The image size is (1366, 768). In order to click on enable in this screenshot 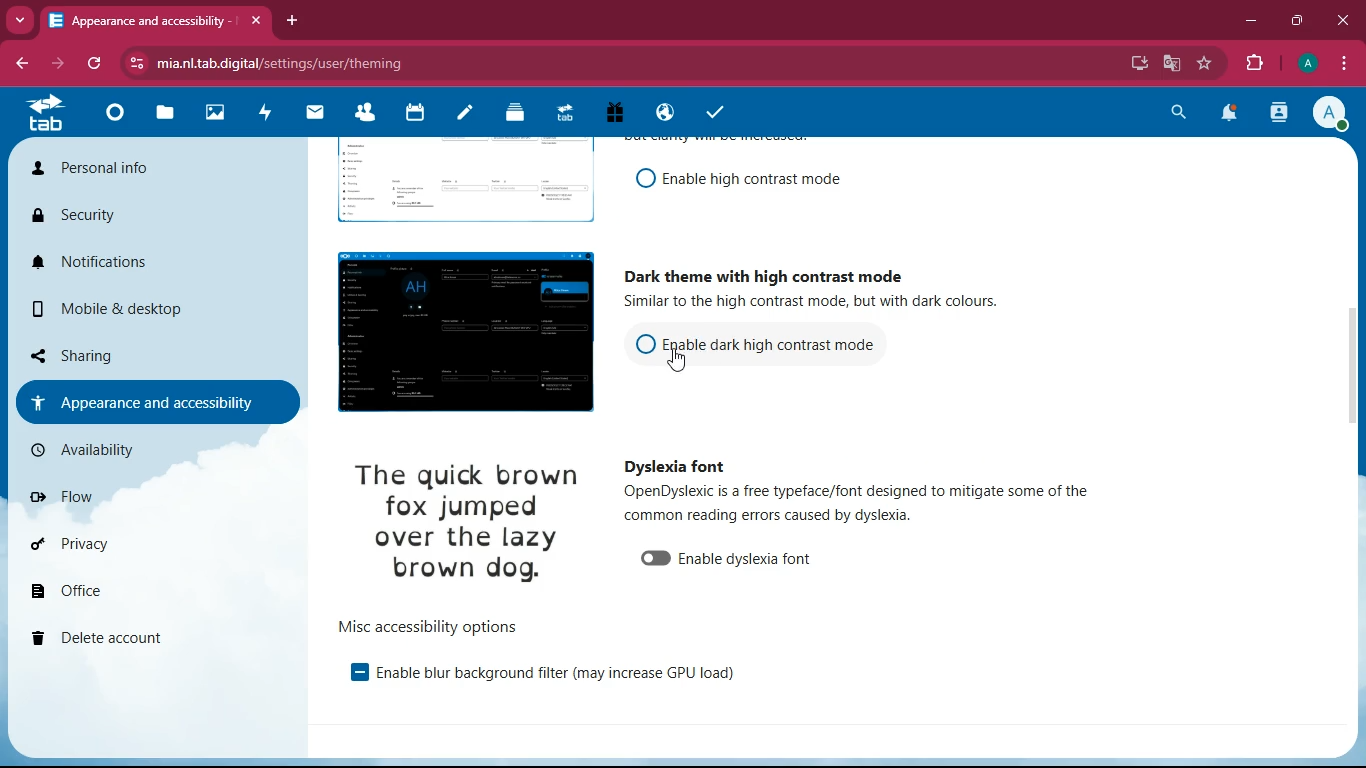, I will do `click(747, 560)`.